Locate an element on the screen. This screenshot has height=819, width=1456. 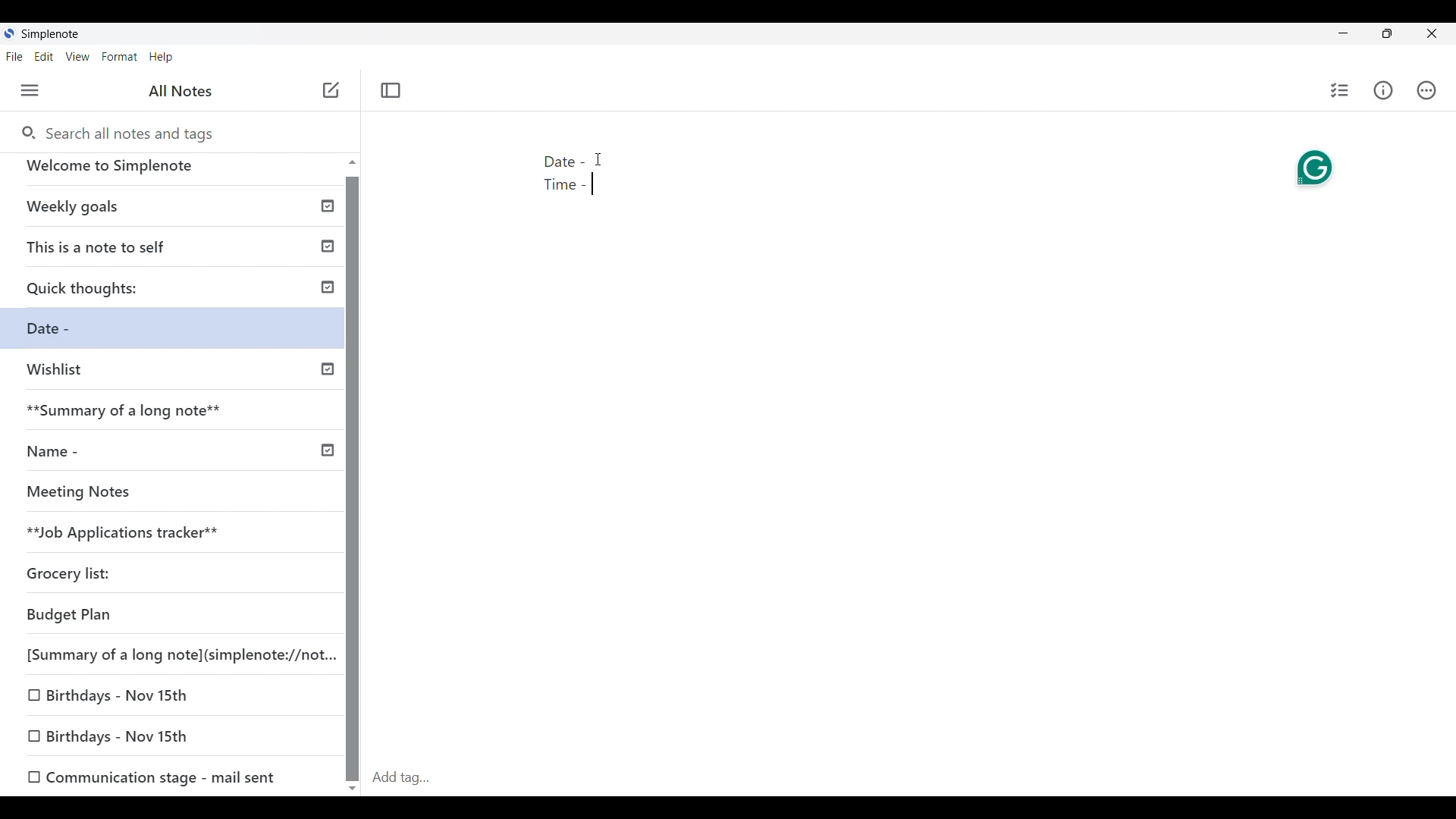
Search all notes and tags is located at coordinates (116, 132).